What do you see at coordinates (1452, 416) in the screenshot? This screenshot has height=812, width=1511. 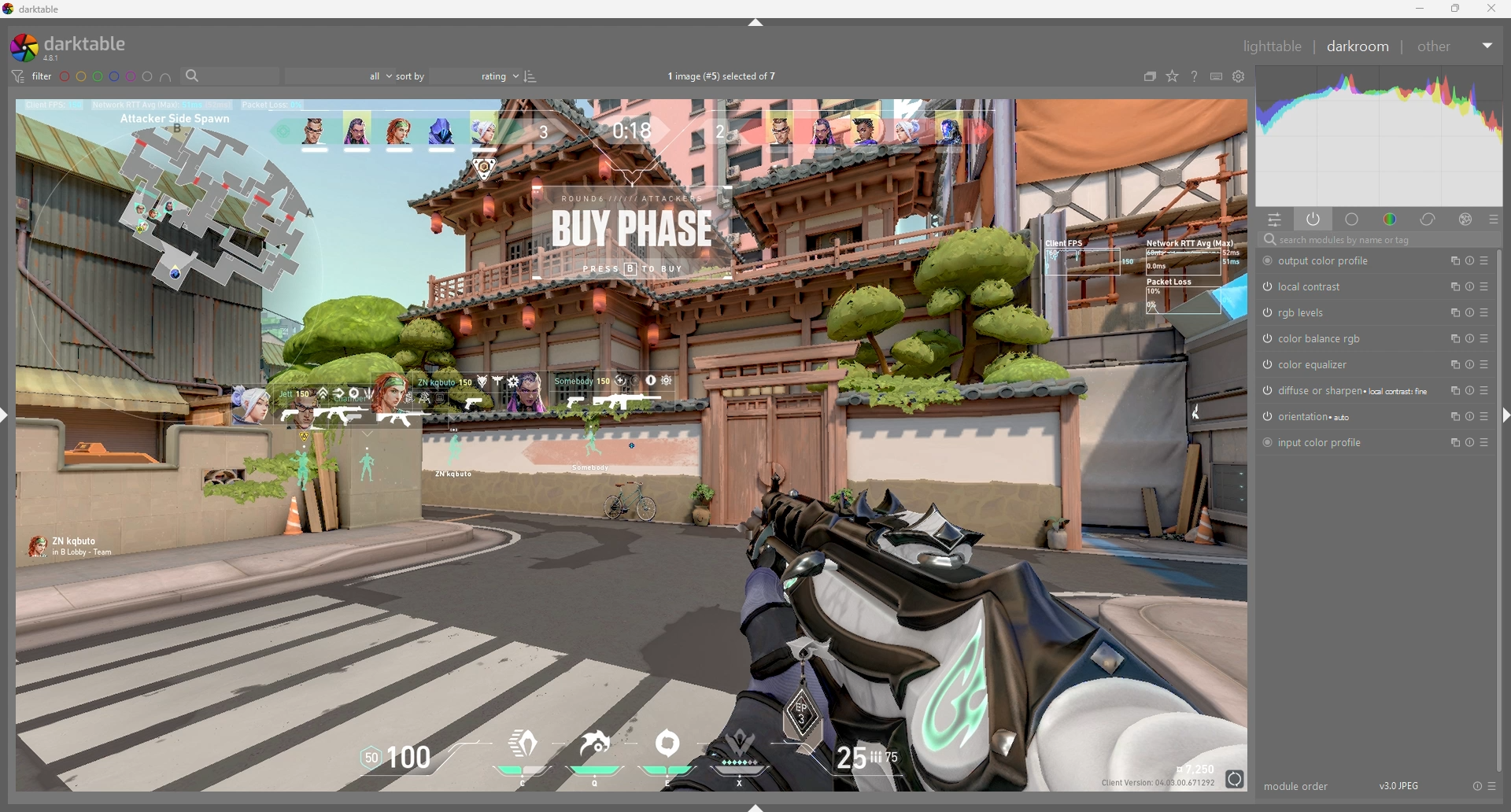 I see `multiple instances actions` at bounding box center [1452, 416].